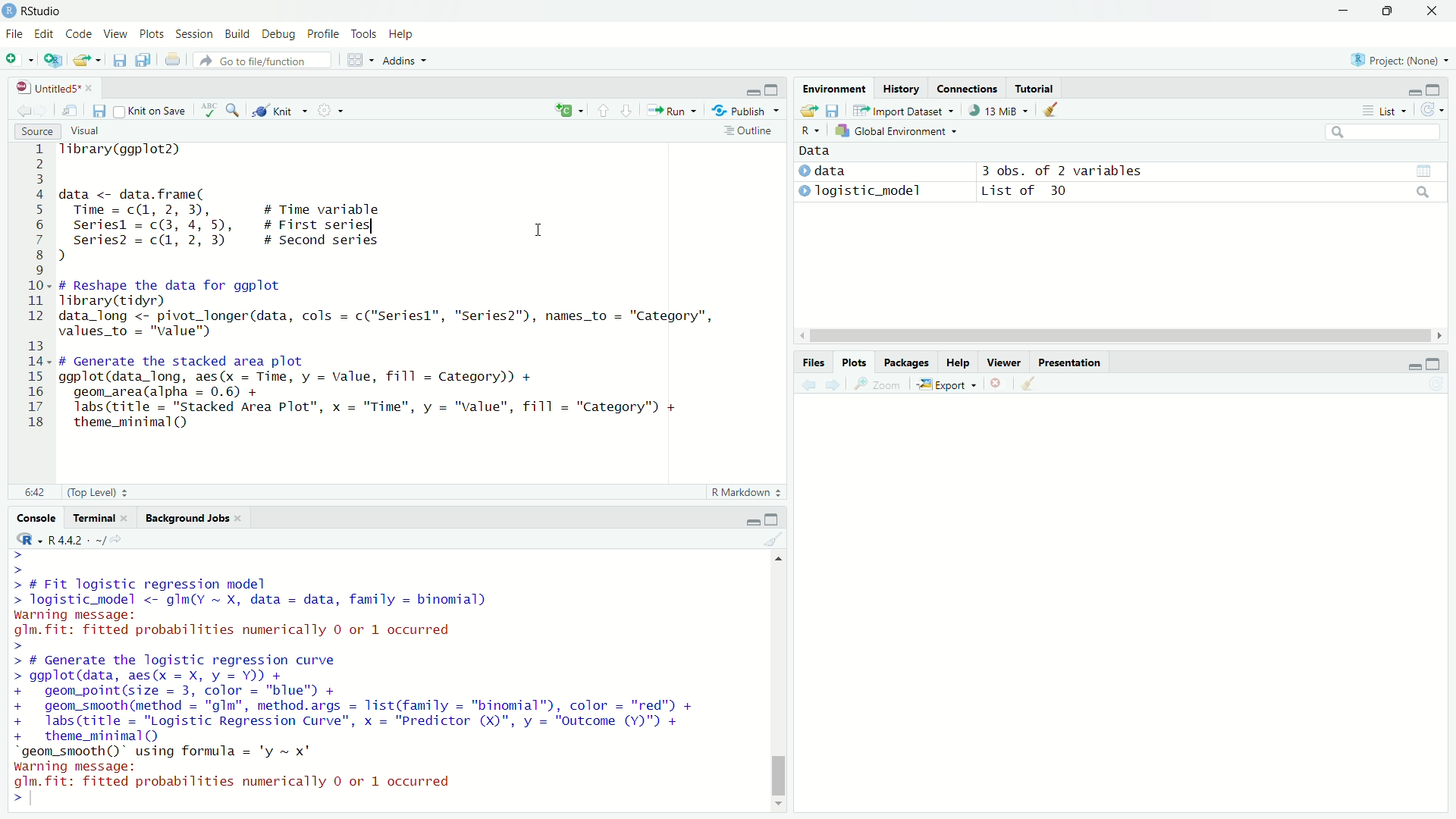 The width and height of the screenshot is (1456, 819). Describe the element at coordinates (402, 35) in the screenshot. I see `Help` at that location.